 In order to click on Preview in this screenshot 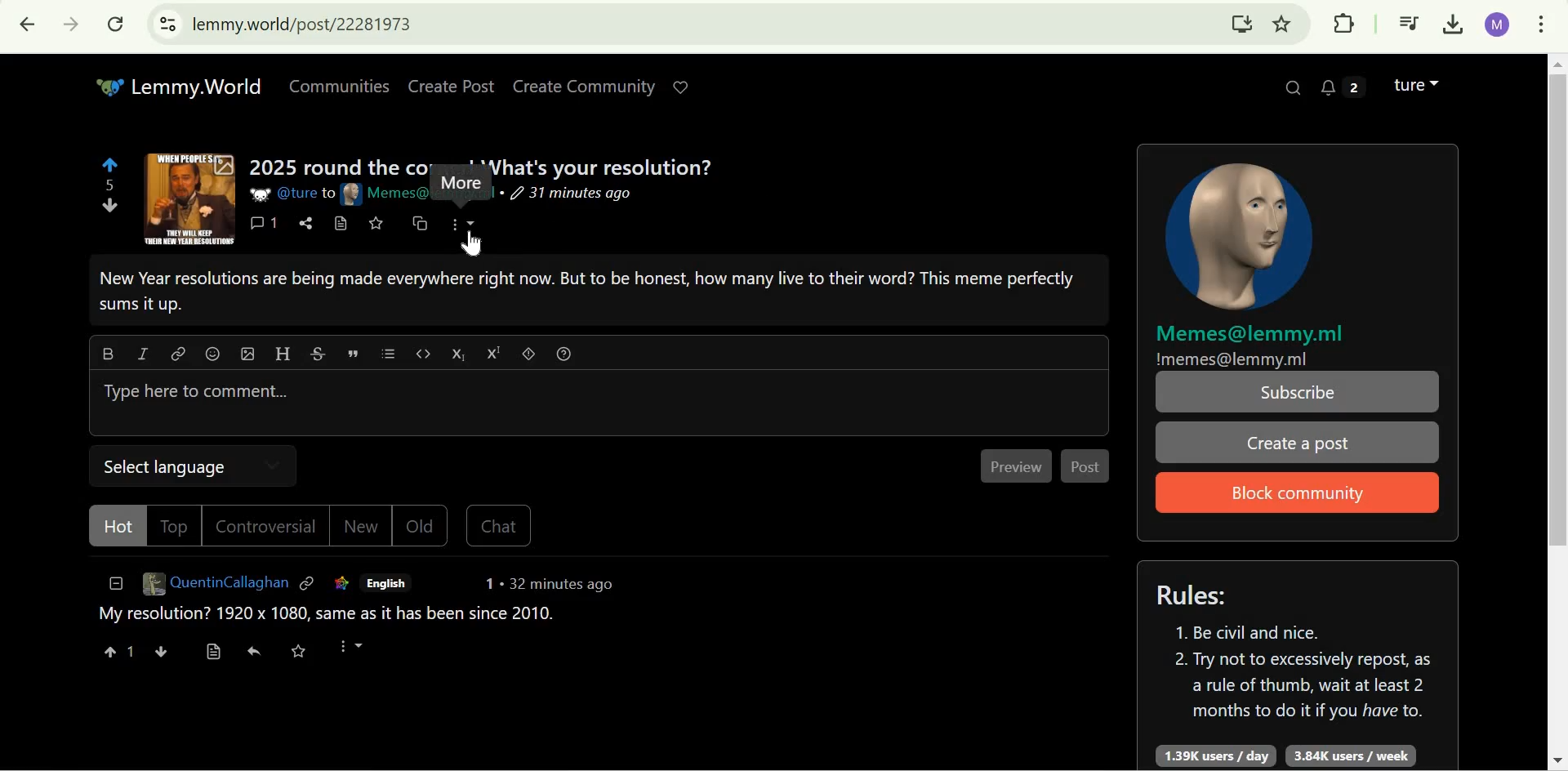, I will do `click(1017, 467)`.